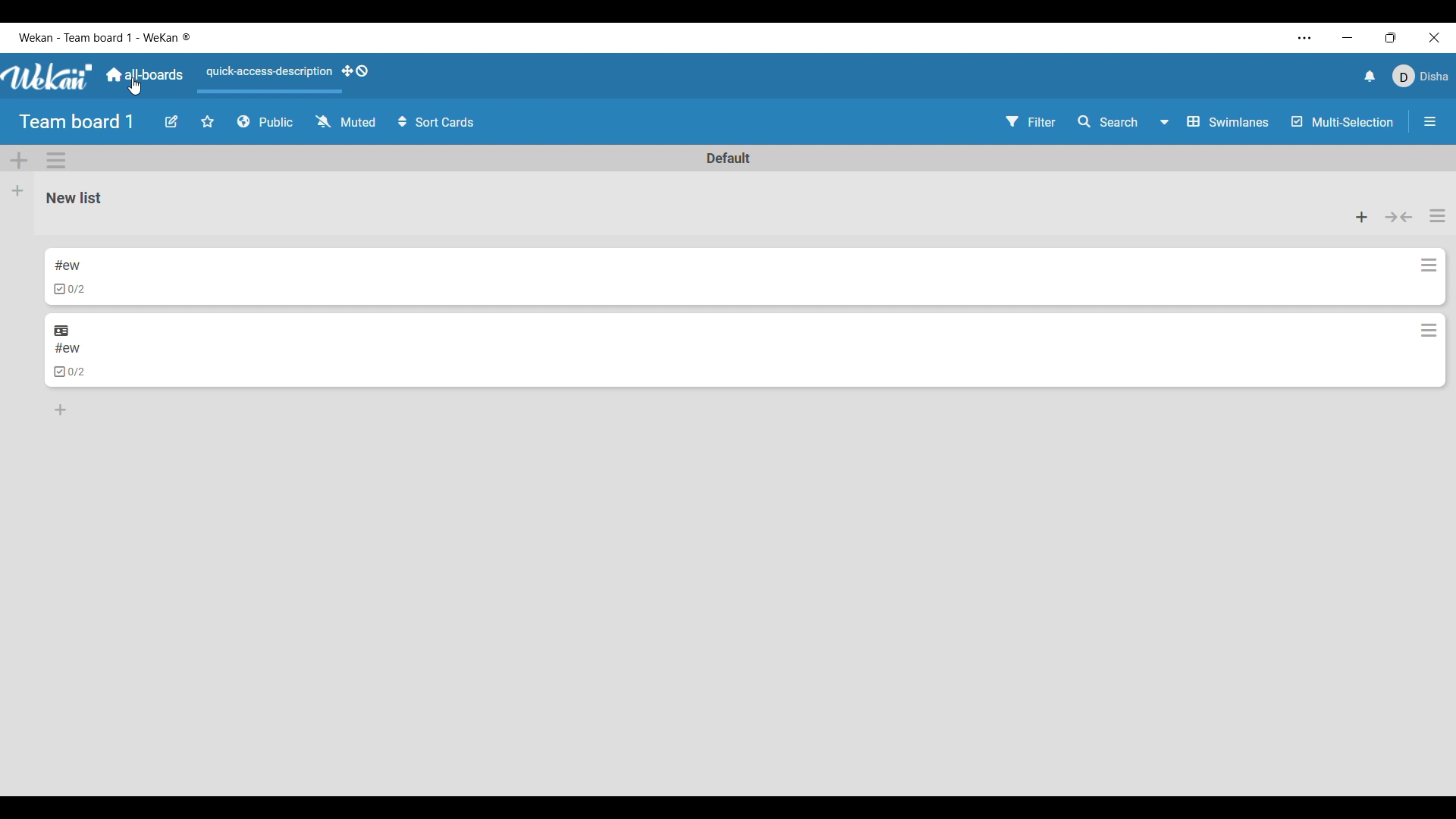 The width and height of the screenshot is (1456, 819). I want to click on Card name, so click(68, 265).